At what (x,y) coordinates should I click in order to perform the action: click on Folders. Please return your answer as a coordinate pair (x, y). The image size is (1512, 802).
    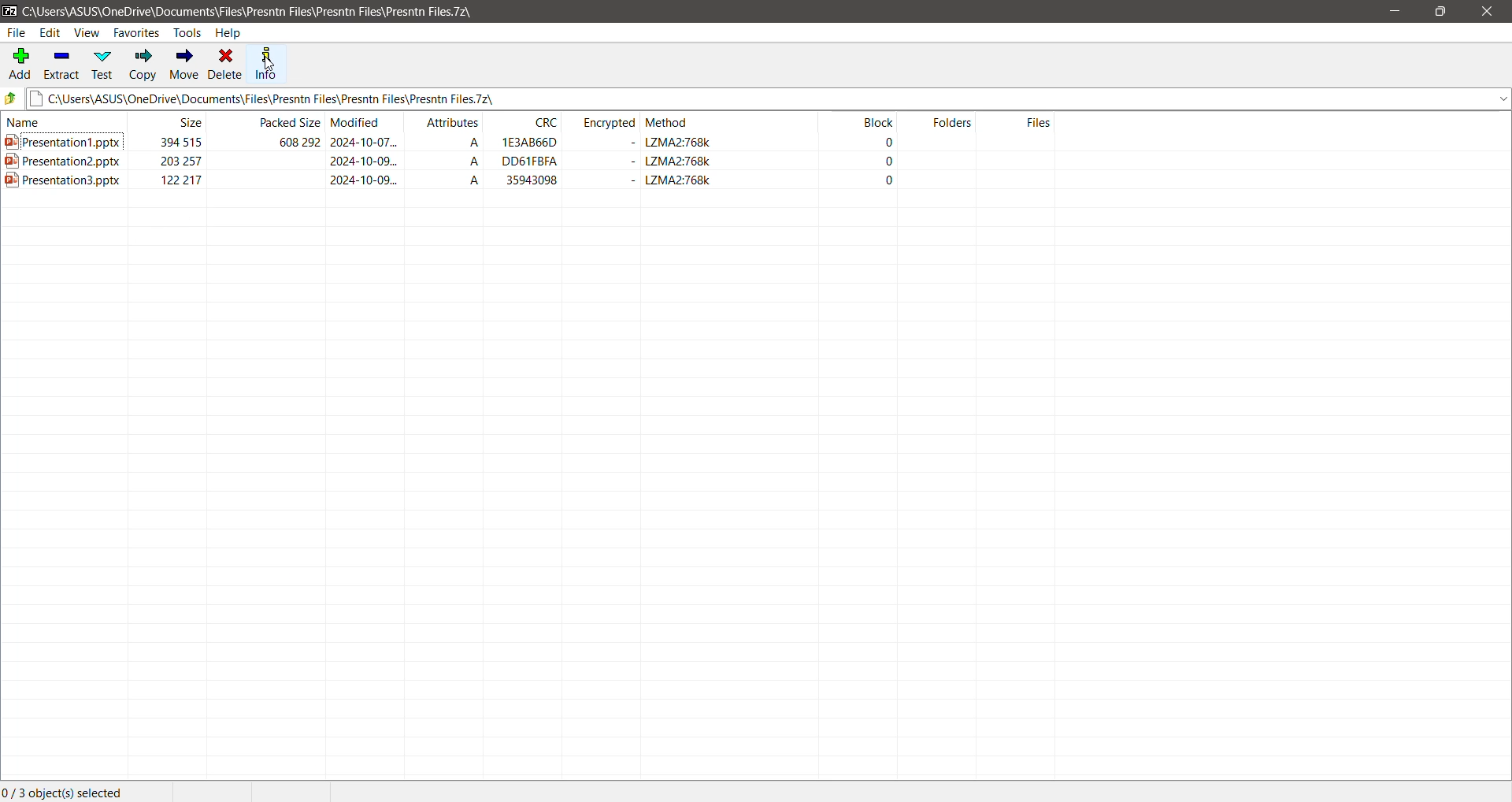
    Looking at the image, I should click on (948, 124).